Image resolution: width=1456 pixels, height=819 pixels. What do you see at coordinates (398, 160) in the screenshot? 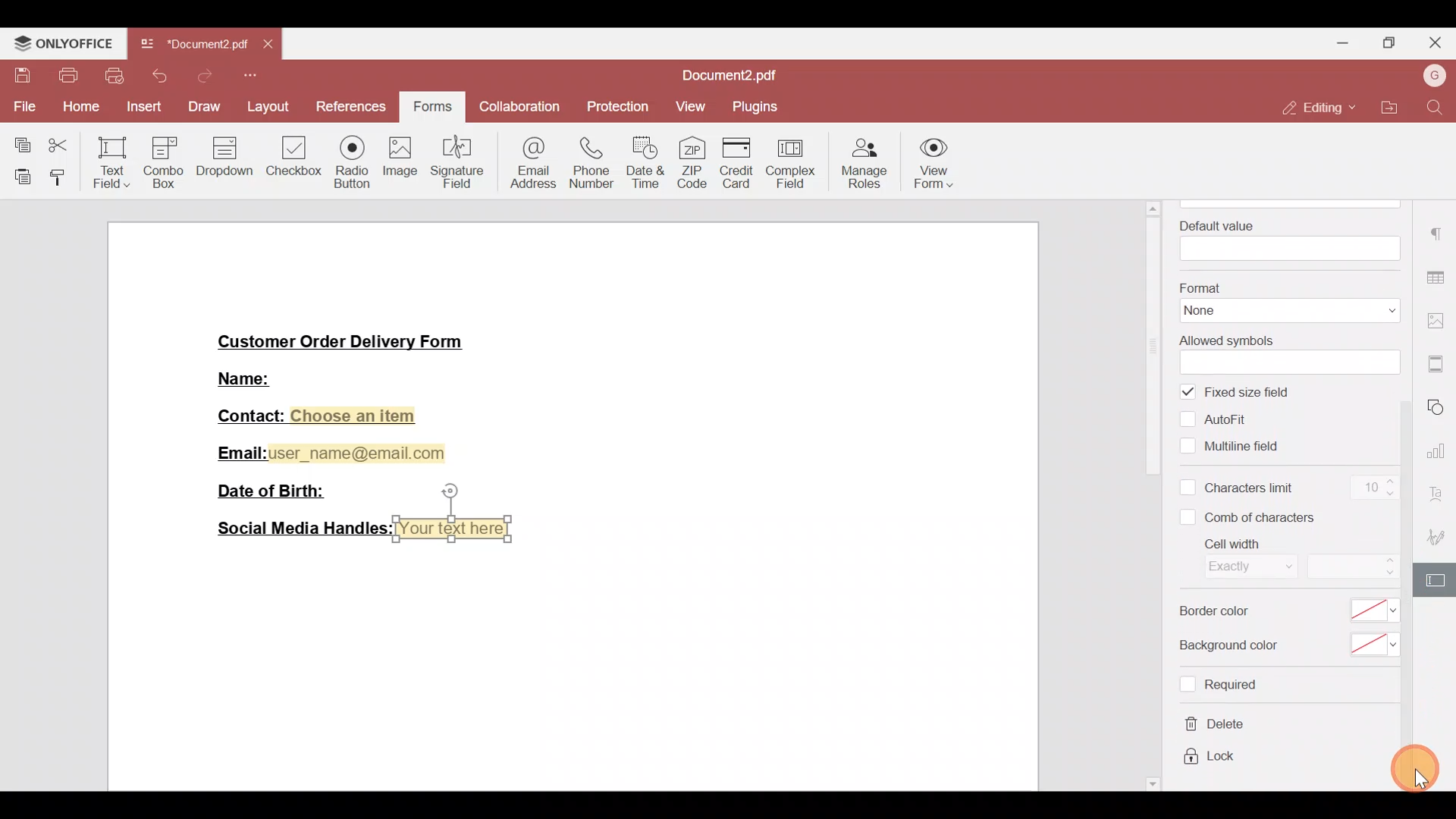
I see `Image` at bounding box center [398, 160].